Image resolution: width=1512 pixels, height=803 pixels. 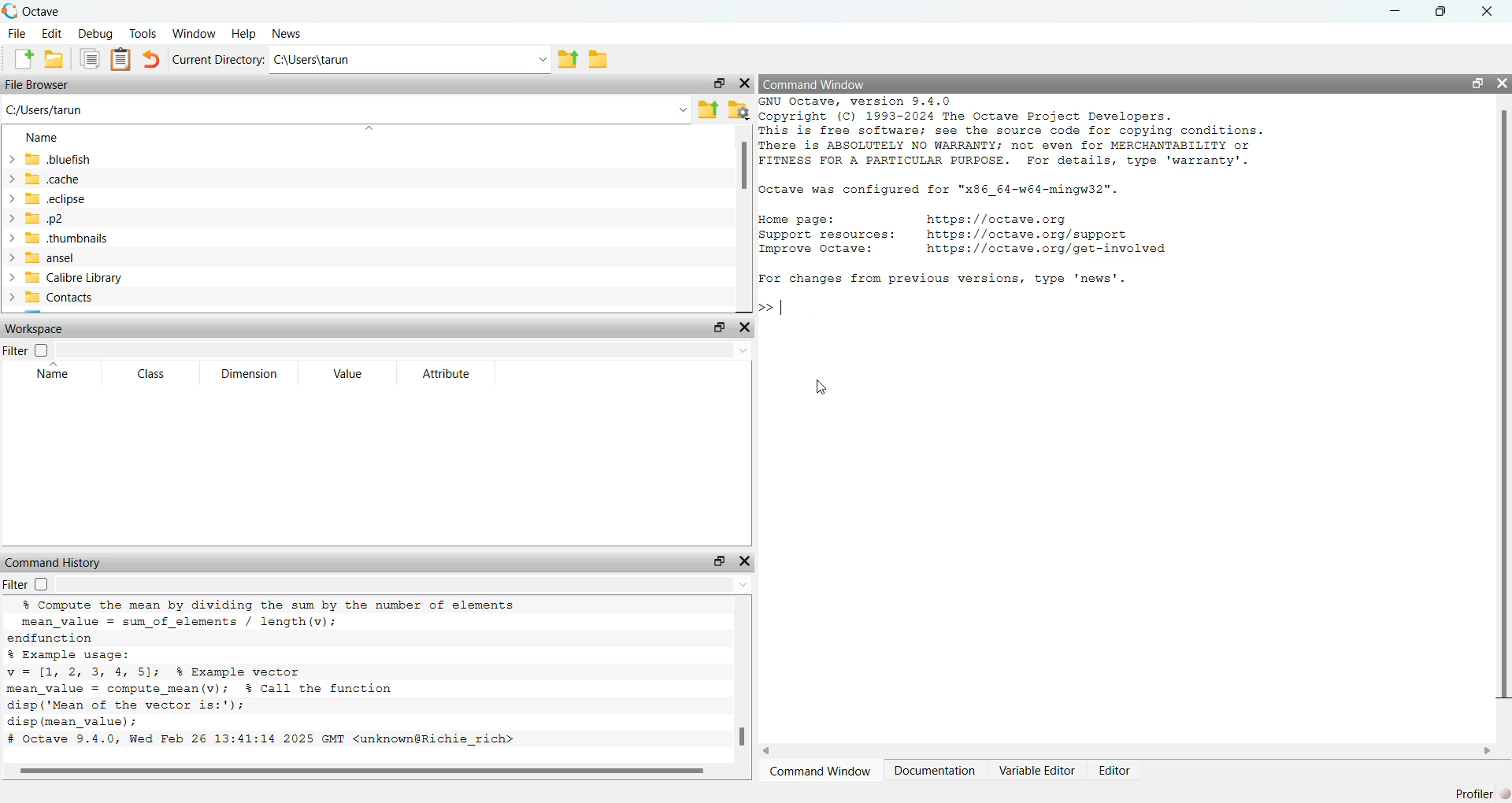 What do you see at coordinates (66, 239) in the screenshot?
I see `.thumbnails` at bounding box center [66, 239].